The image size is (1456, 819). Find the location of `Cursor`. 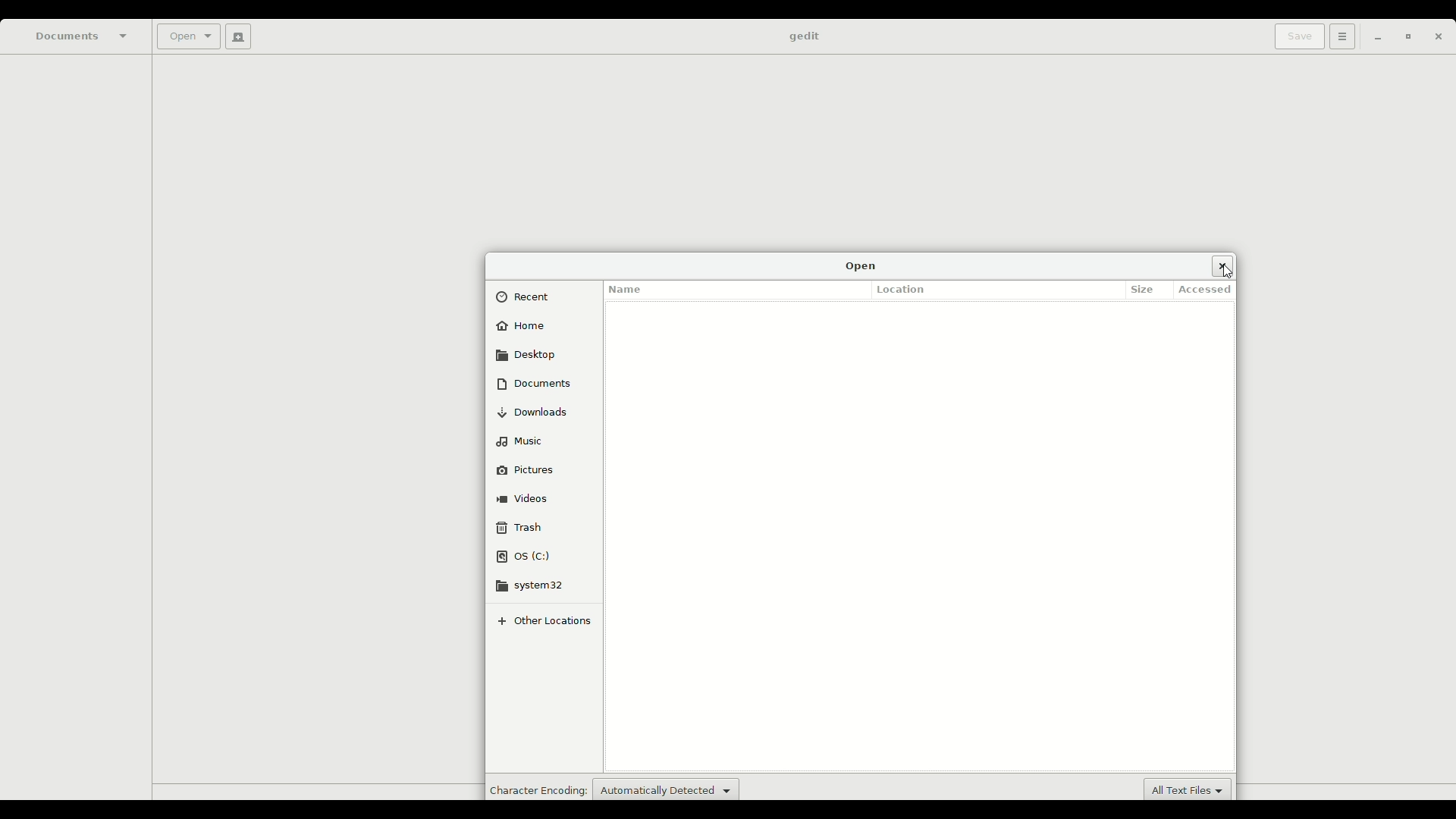

Cursor is located at coordinates (1230, 274).